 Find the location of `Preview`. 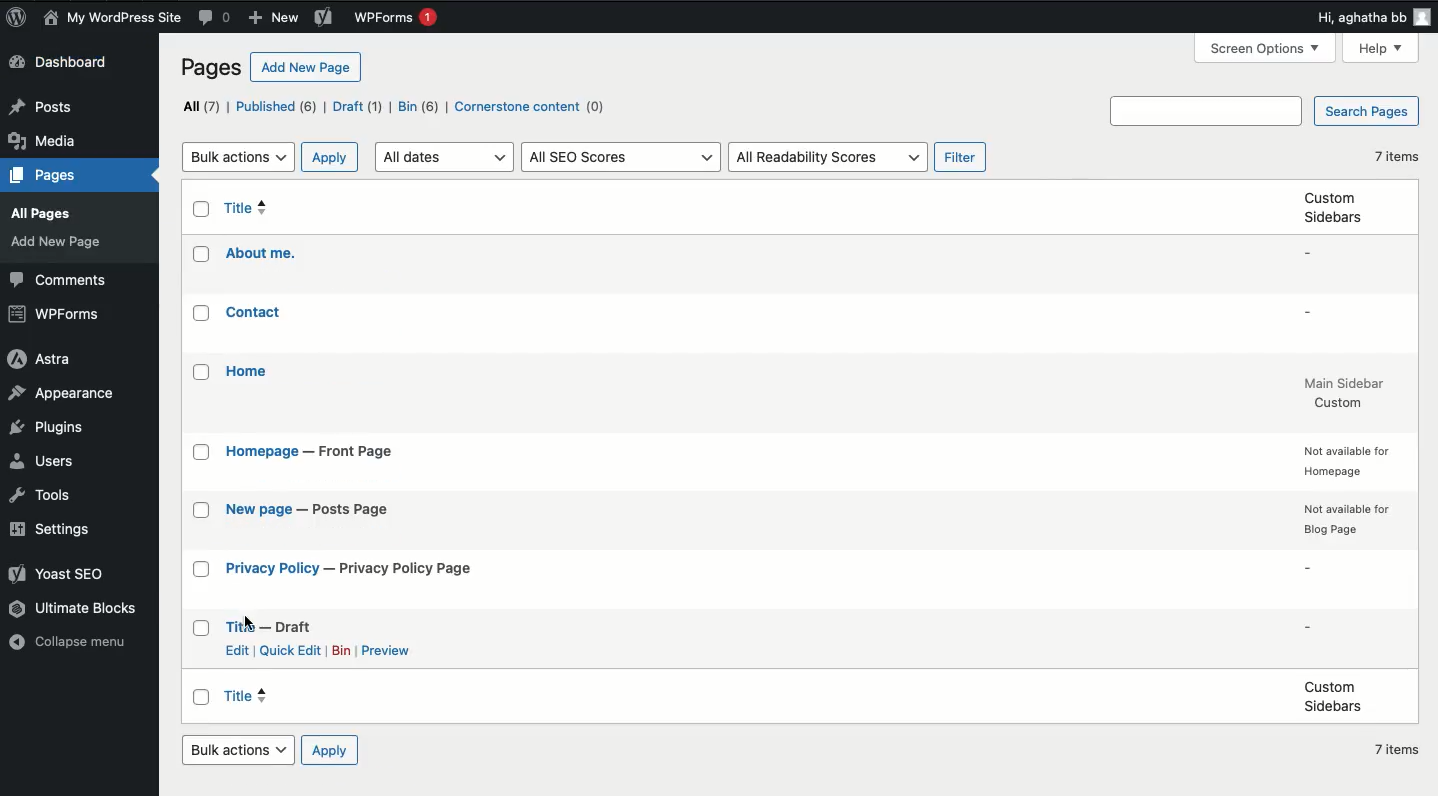

Preview is located at coordinates (386, 653).